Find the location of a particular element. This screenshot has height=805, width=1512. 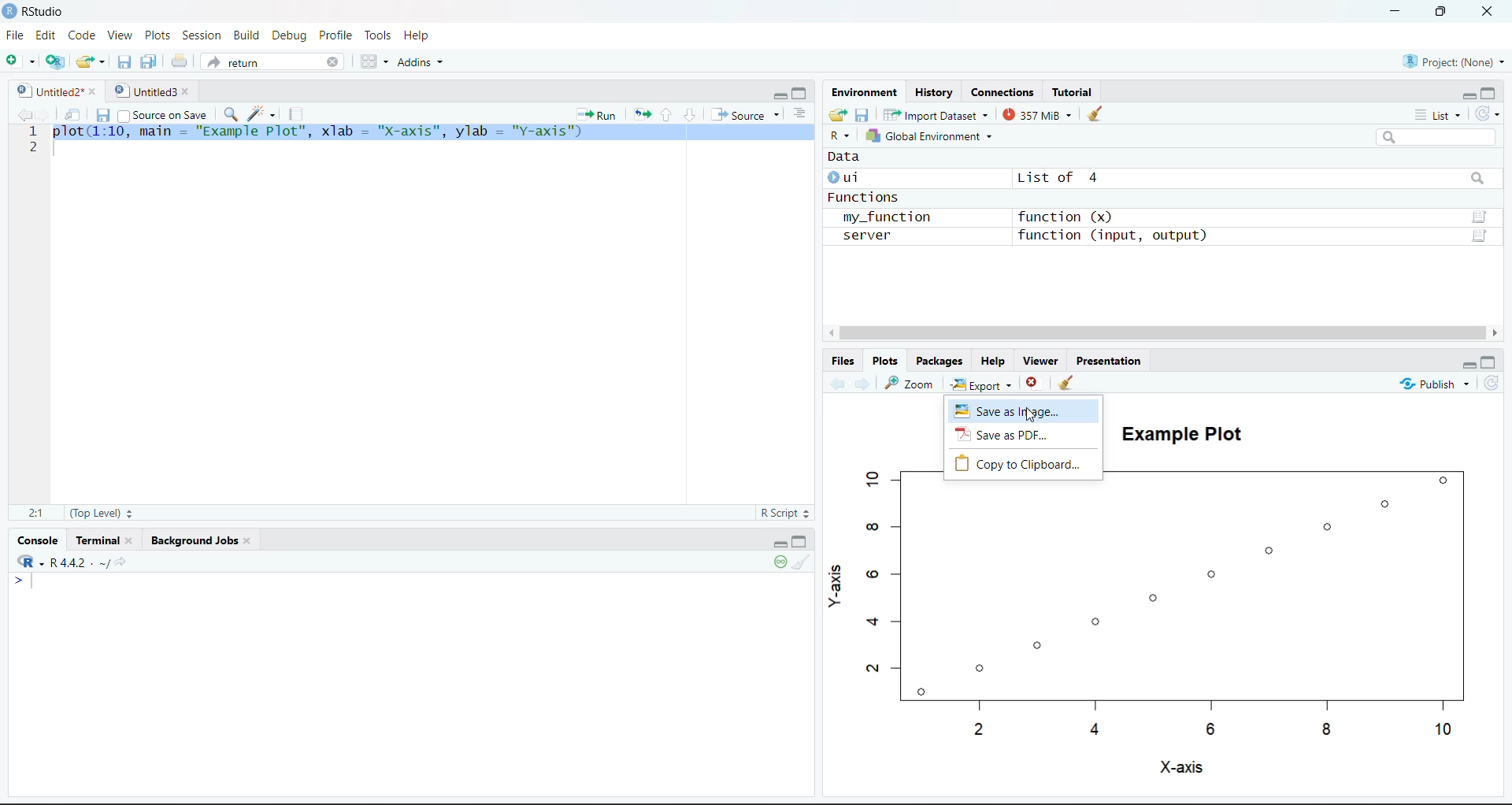

Posts is located at coordinates (159, 35).